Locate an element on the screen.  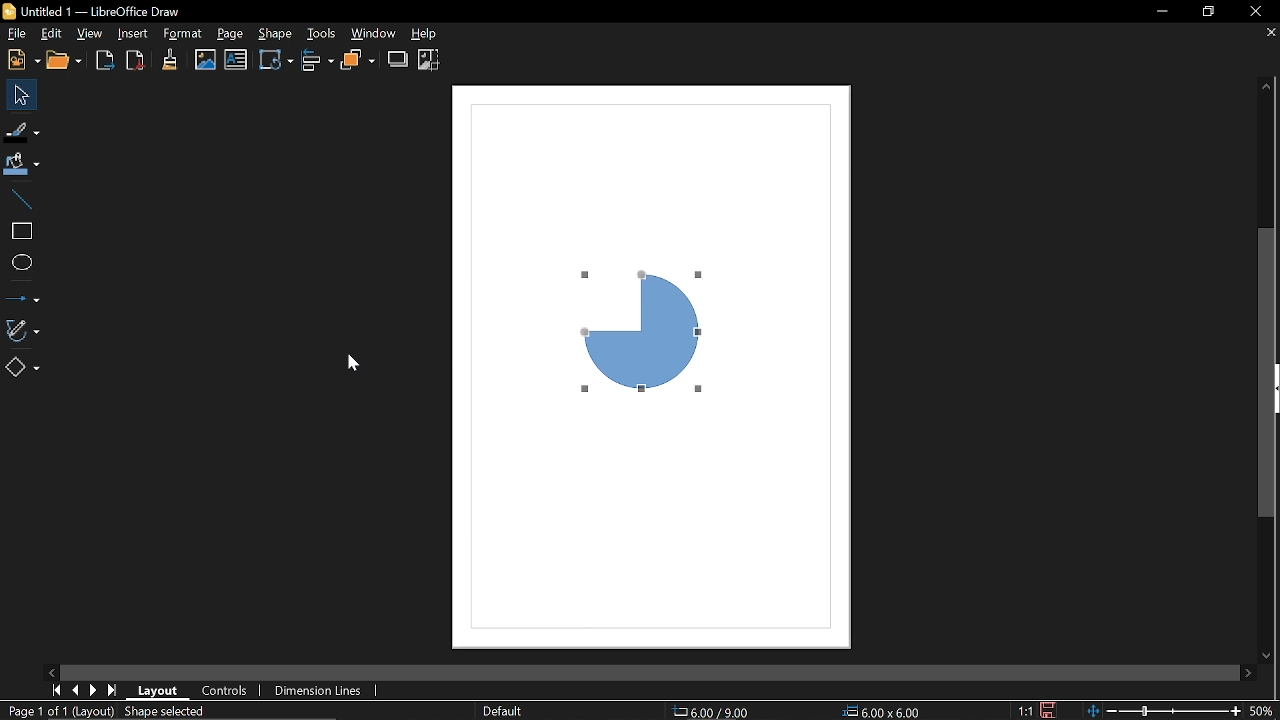
View is located at coordinates (91, 34).